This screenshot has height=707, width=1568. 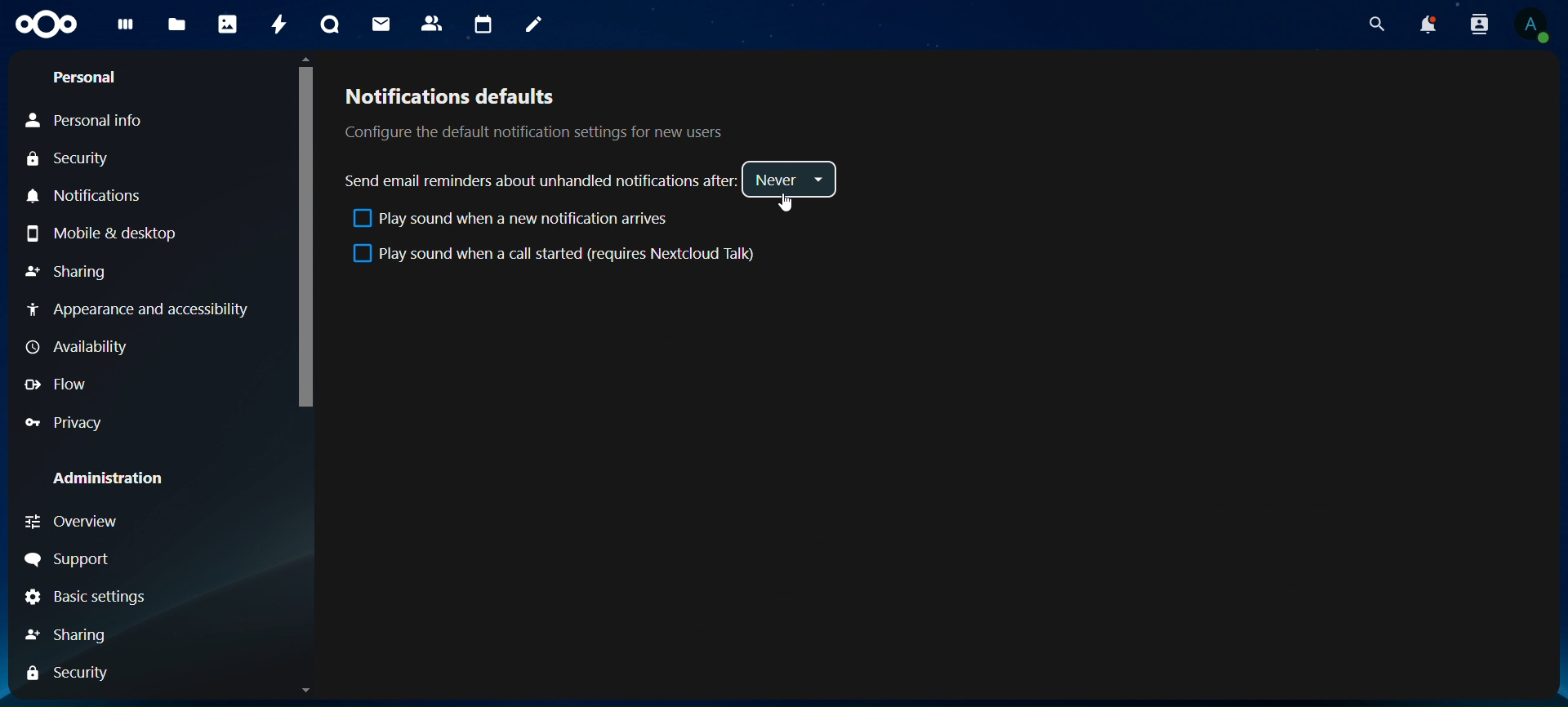 What do you see at coordinates (56, 385) in the screenshot?
I see `Flow` at bounding box center [56, 385].